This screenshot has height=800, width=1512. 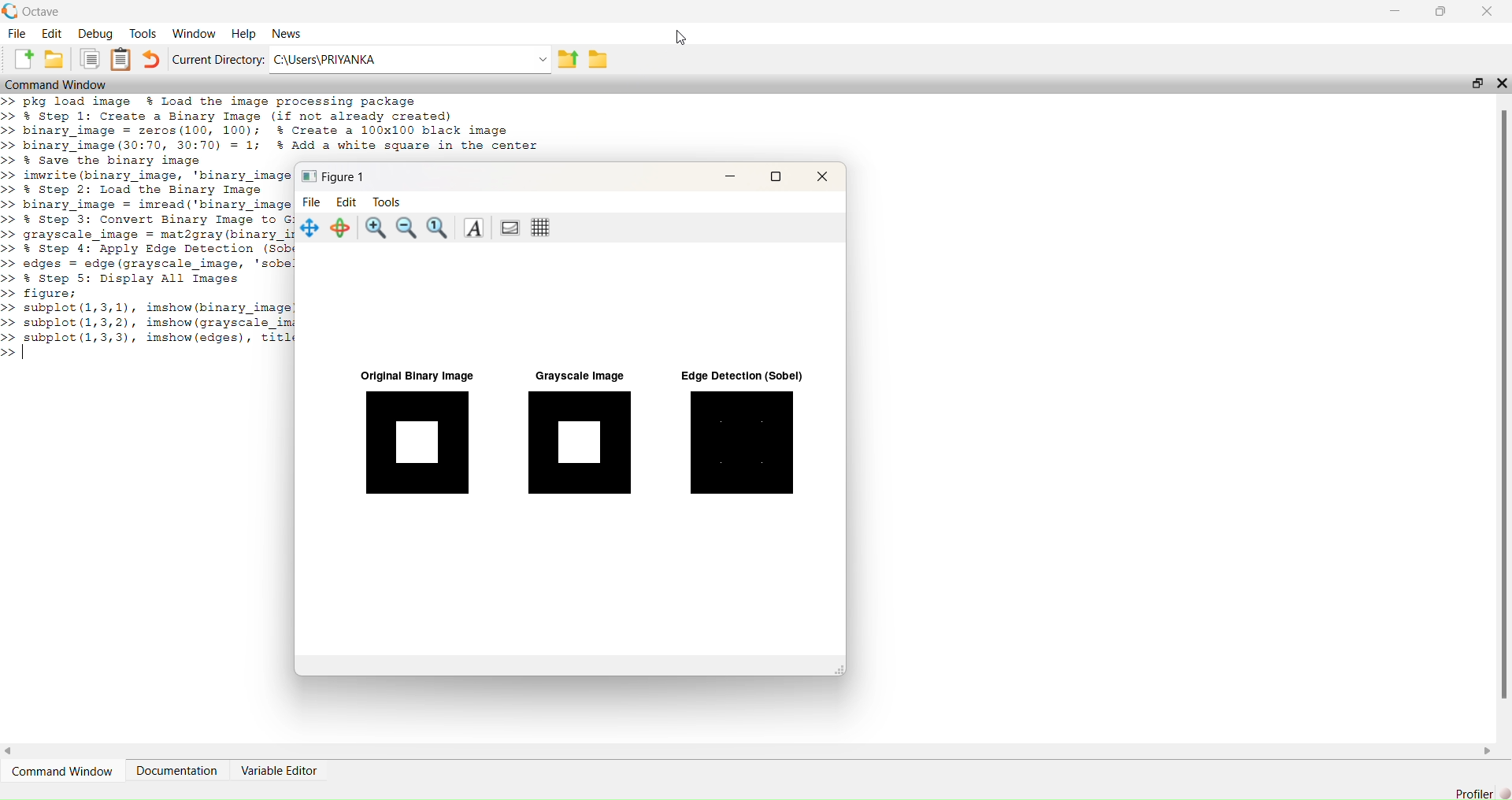 What do you see at coordinates (281, 130) in the screenshot?
I see `pkg load image % Load the image processing package

% Step 1: Create a Binary Image (if not already created)

binary image = zeros(100, 100); % Create a 100x100 black image
binary_image (30:70, 30:70) = 1; % Add a white square in the center
2 Save the binary image` at bounding box center [281, 130].